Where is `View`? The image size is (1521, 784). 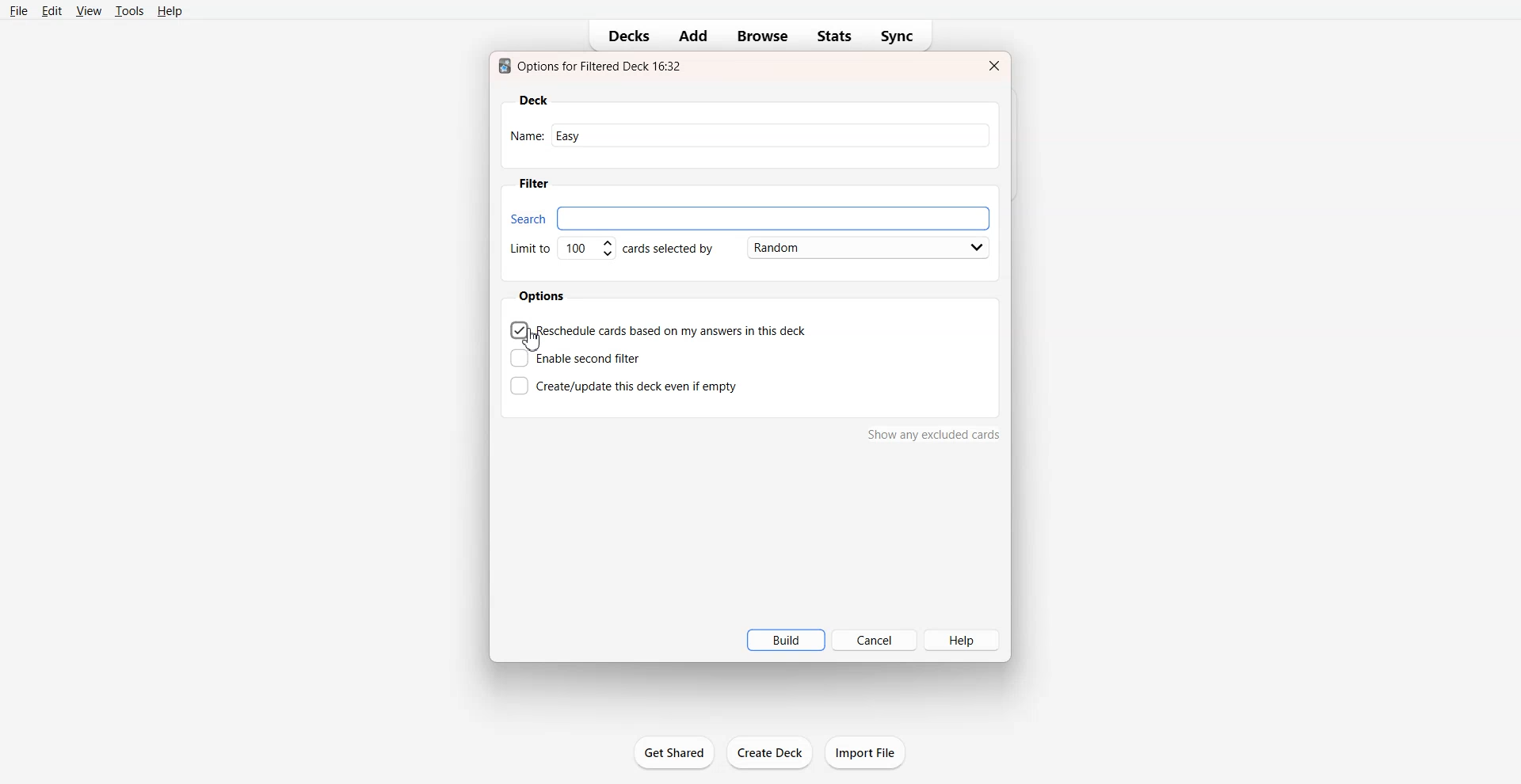 View is located at coordinates (89, 10).